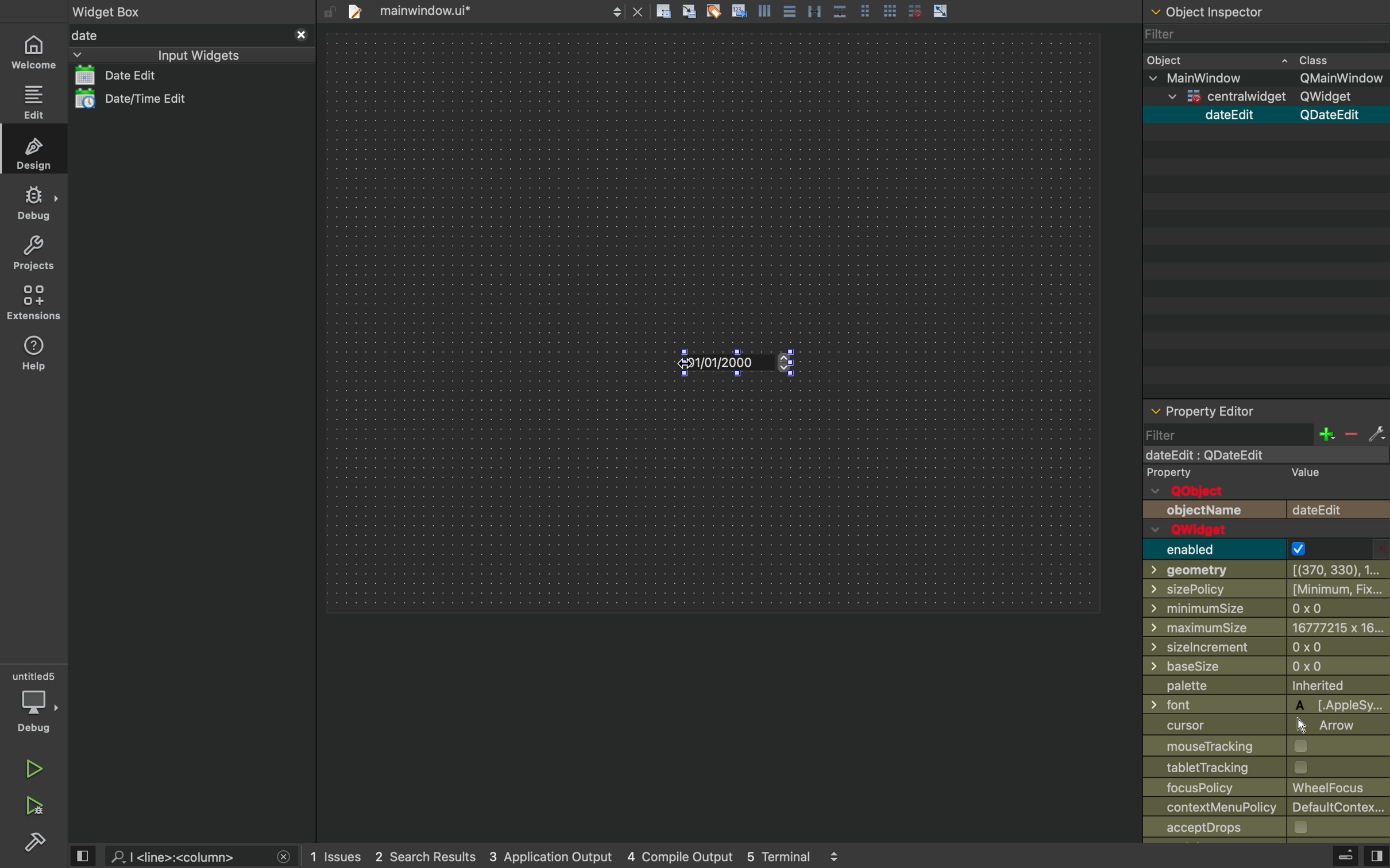 The width and height of the screenshot is (1390, 868). What do you see at coordinates (1266, 511) in the screenshot?
I see `object name` at bounding box center [1266, 511].